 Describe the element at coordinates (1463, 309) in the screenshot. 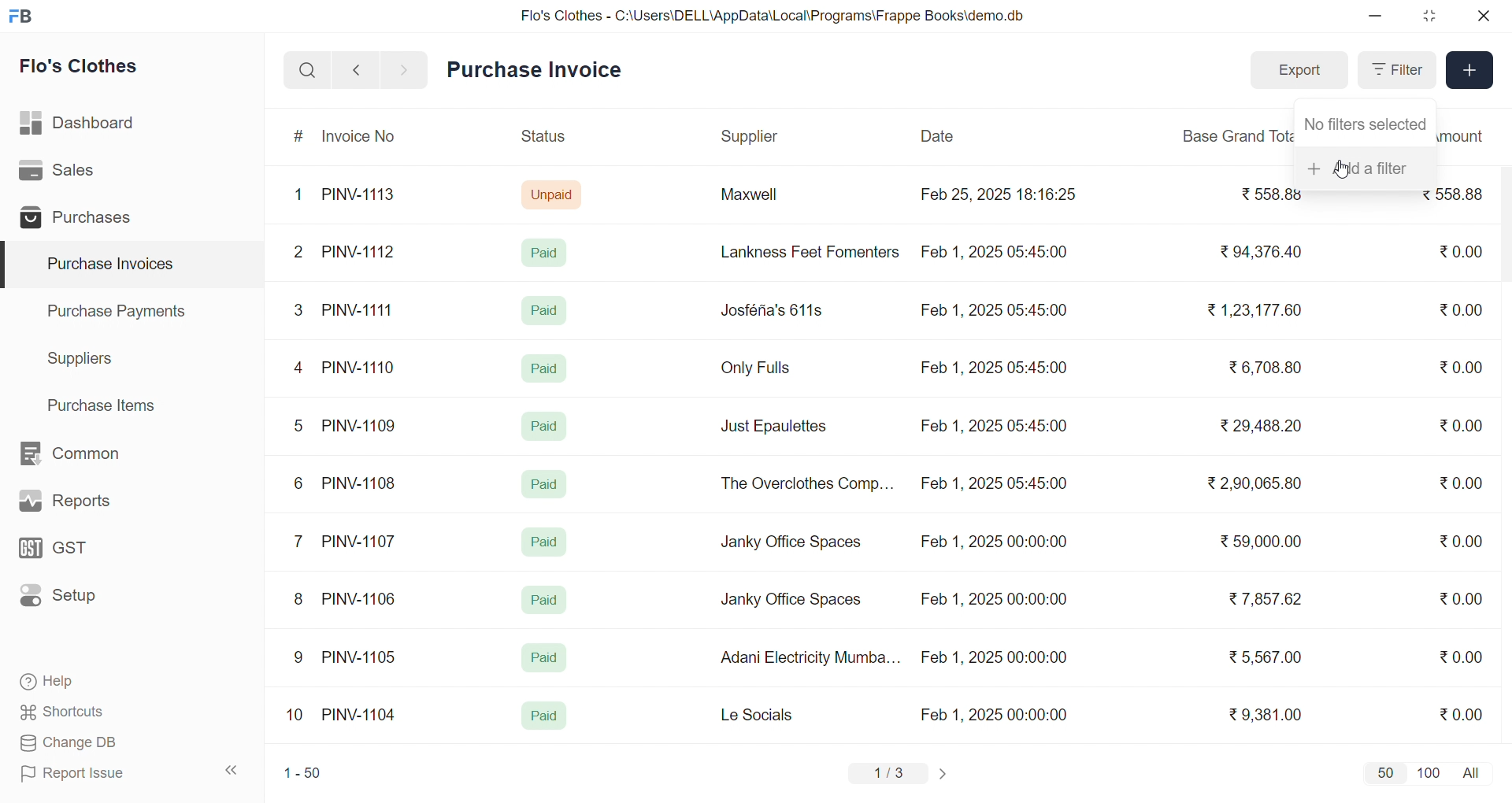

I see `₹0.00` at that location.